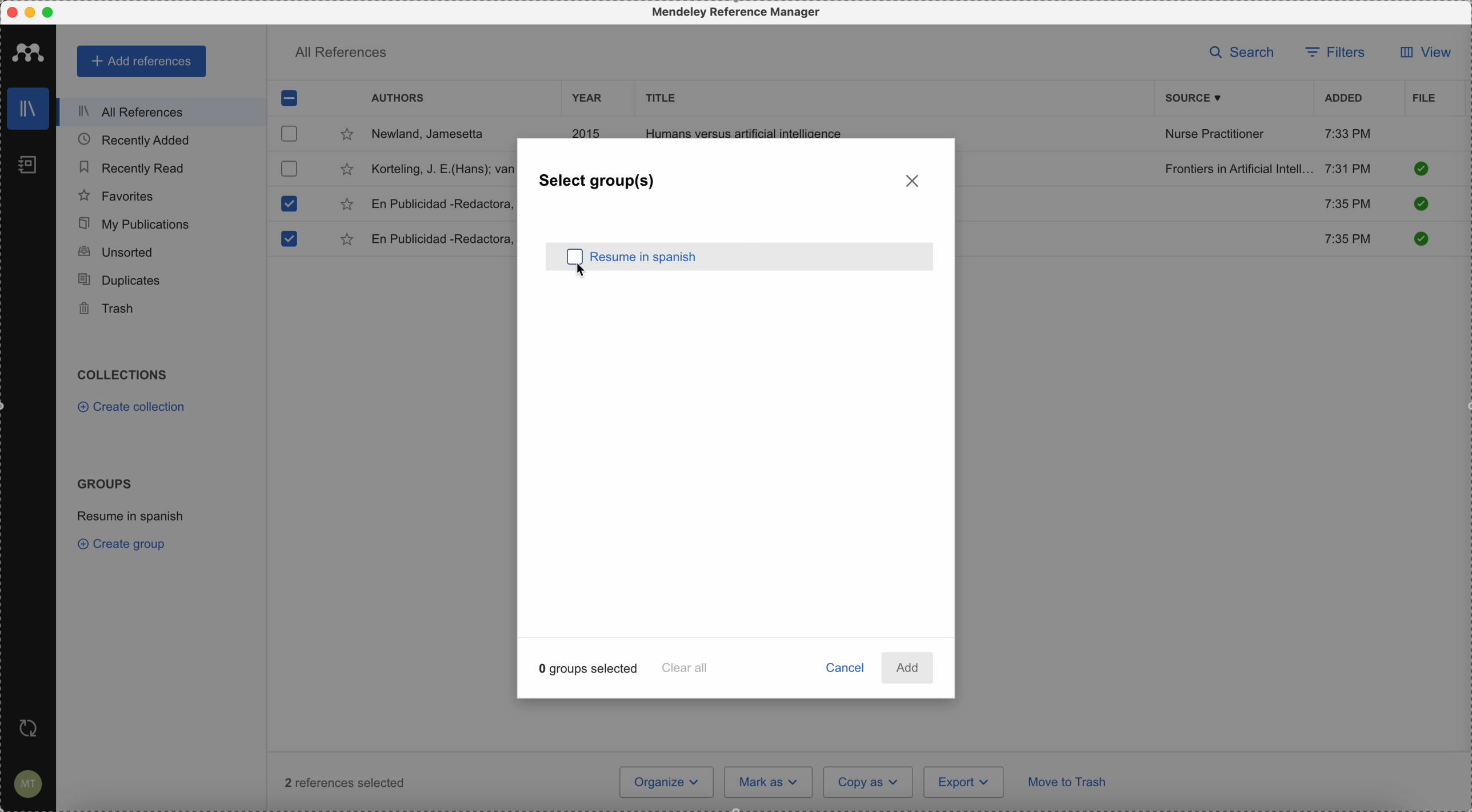 This screenshot has width=1472, height=812. What do you see at coordinates (26, 729) in the screenshot?
I see `last sync` at bounding box center [26, 729].